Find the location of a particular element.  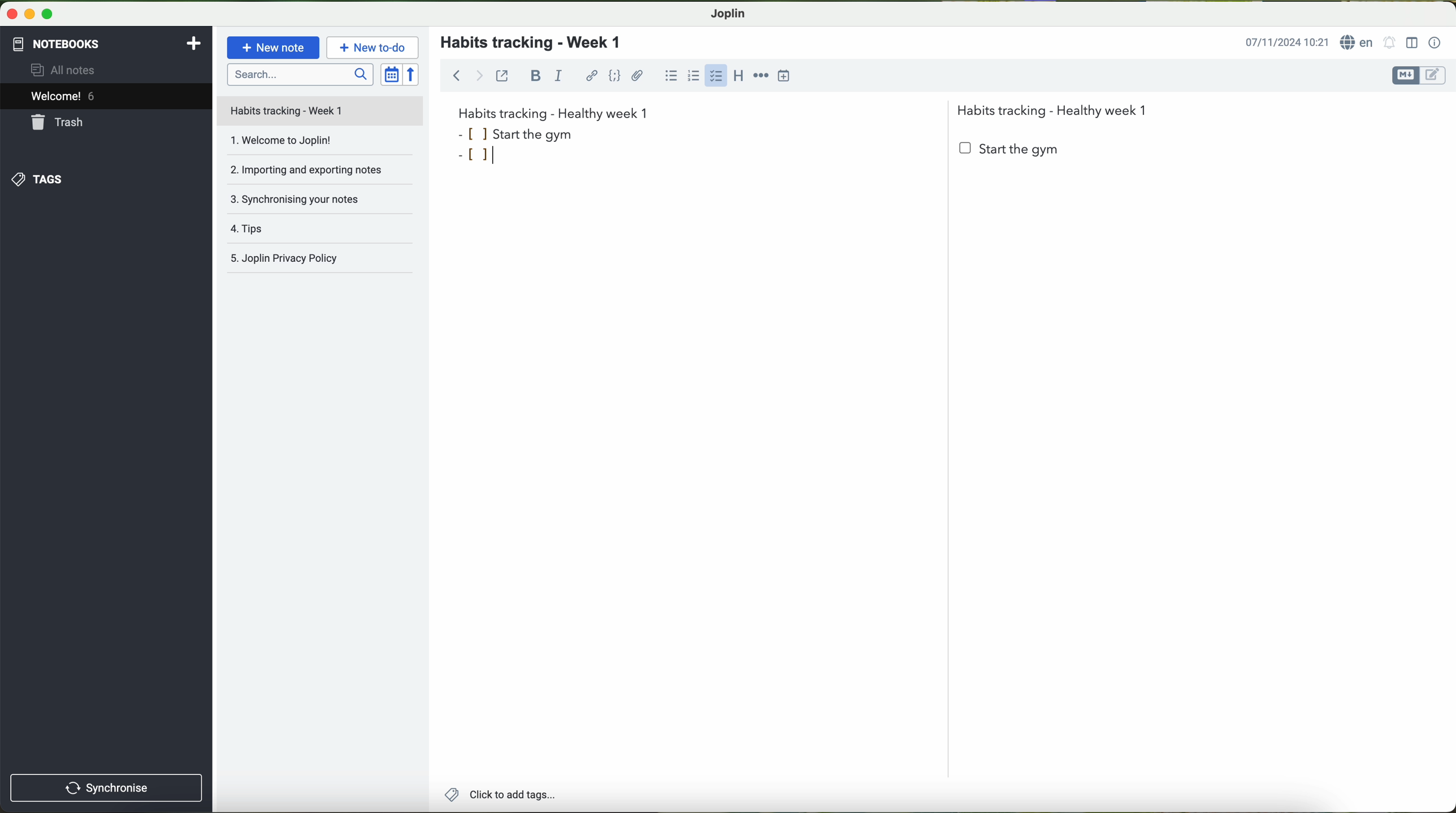

close is located at coordinates (9, 12).